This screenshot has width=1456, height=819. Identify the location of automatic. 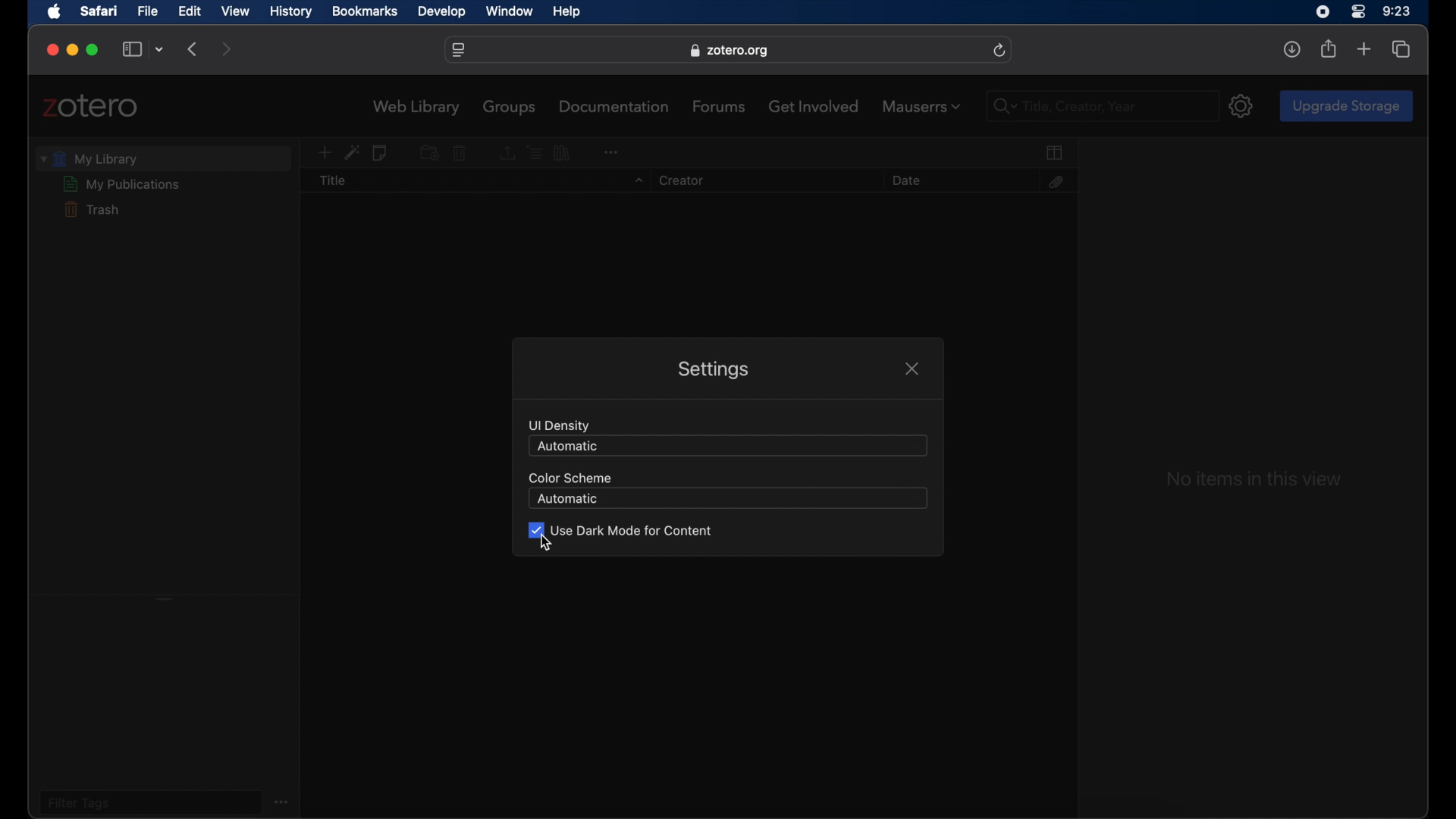
(568, 500).